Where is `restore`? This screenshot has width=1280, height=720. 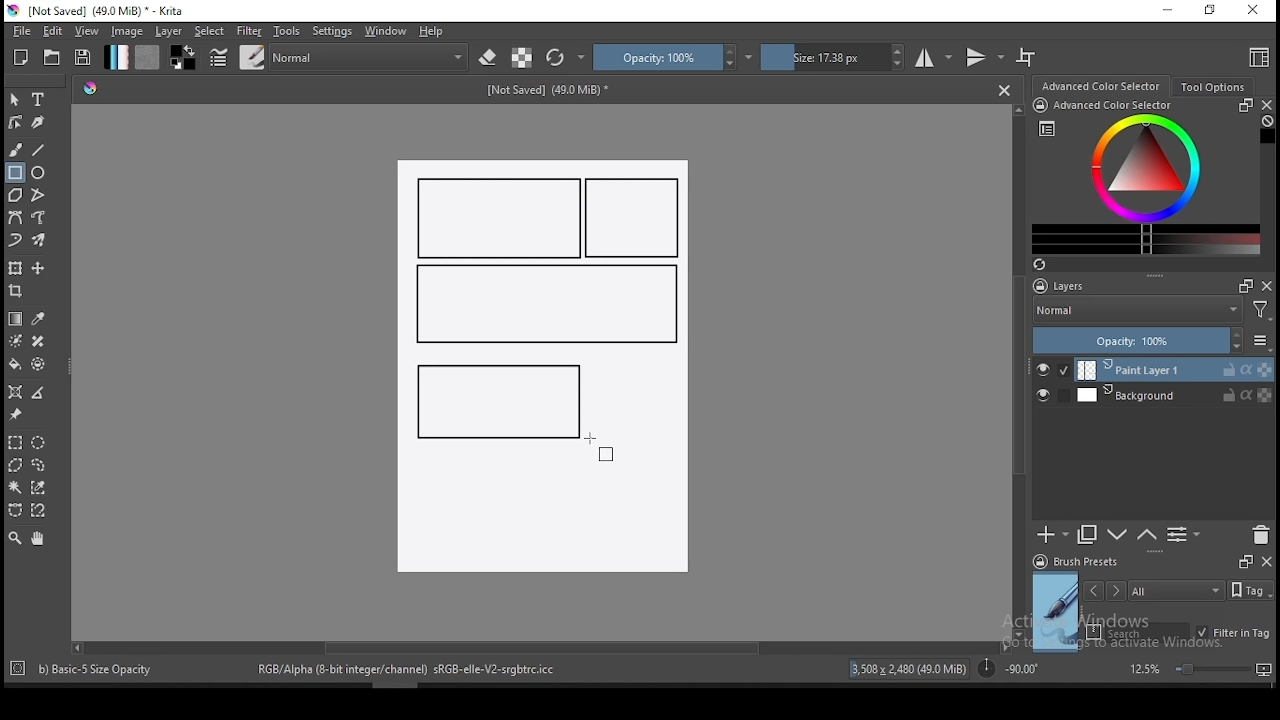
restore is located at coordinates (1214, 11).